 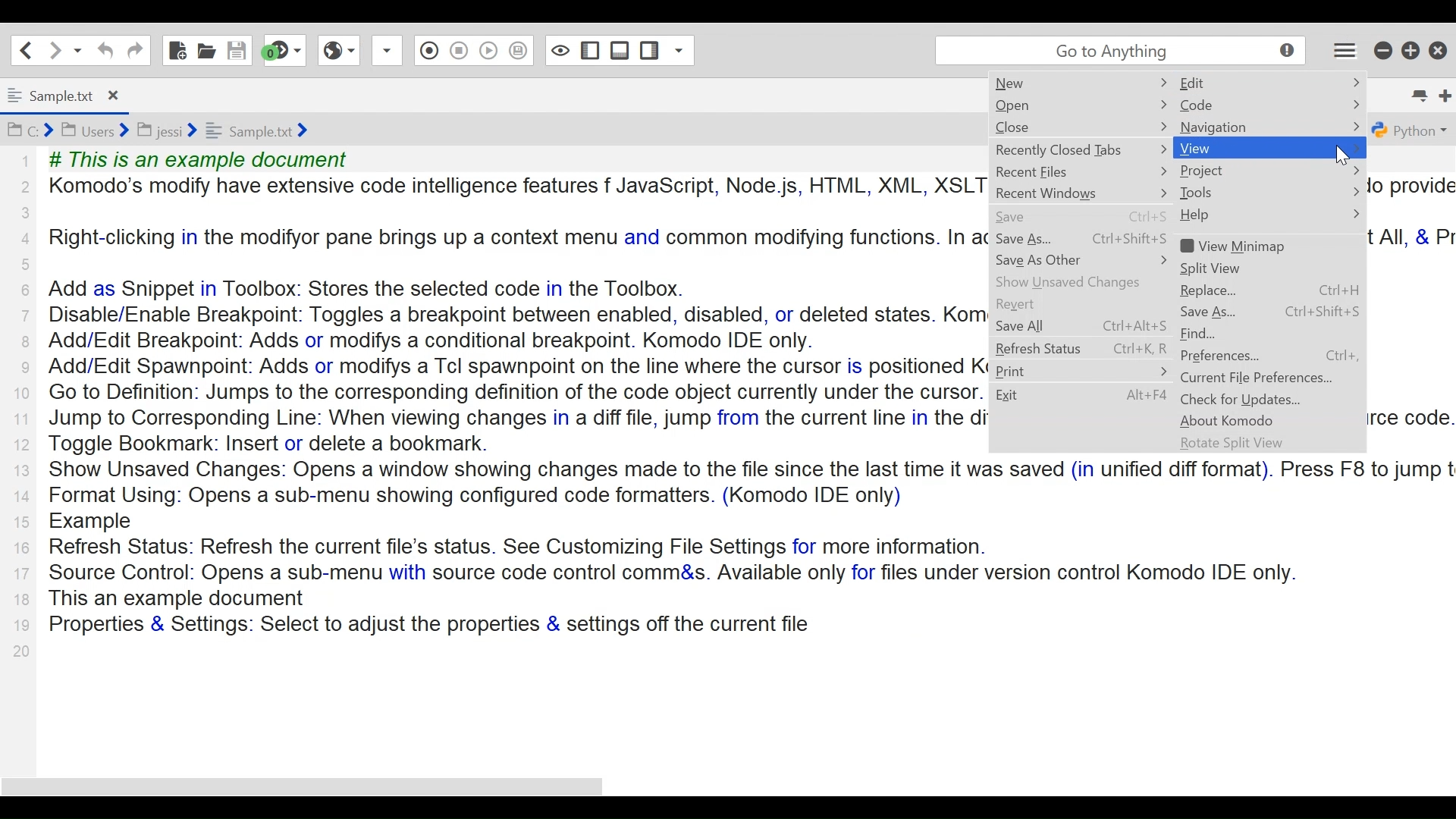 I want to click on New File, so click(x=178, y=49).